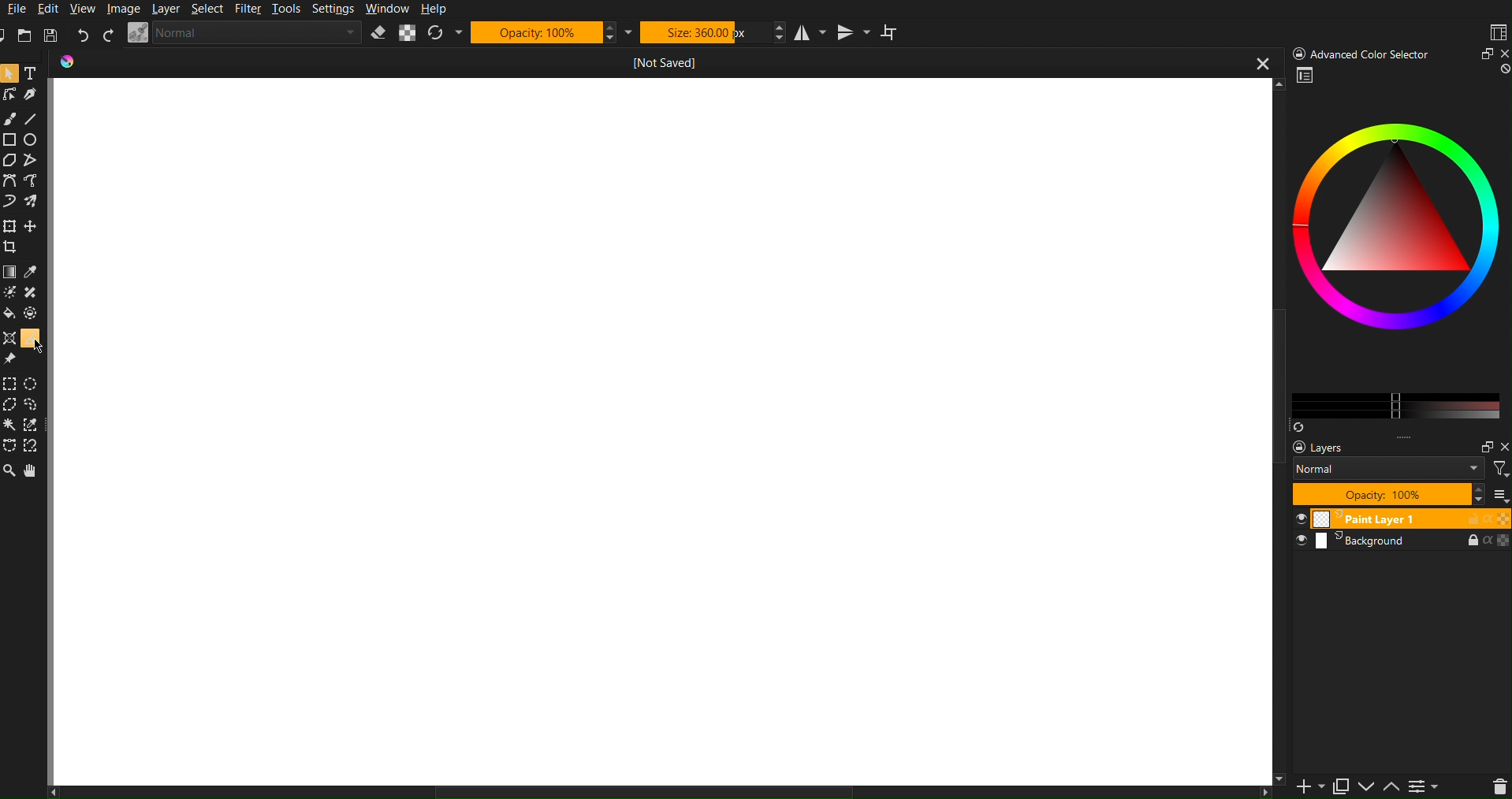  I want to click on New Document, so click(9, 35).